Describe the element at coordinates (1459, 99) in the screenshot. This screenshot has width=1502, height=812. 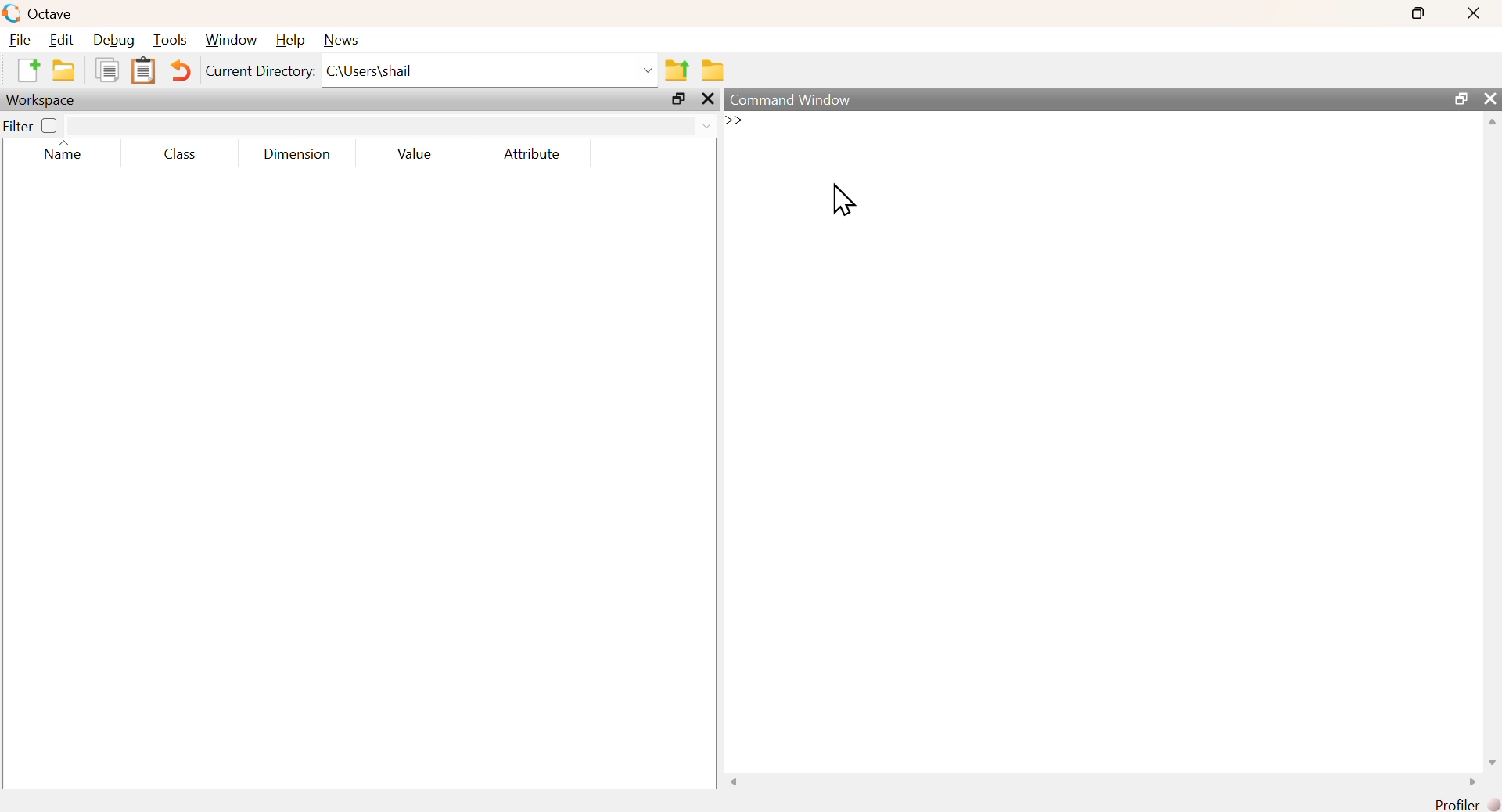
I see `maximize` at that location.